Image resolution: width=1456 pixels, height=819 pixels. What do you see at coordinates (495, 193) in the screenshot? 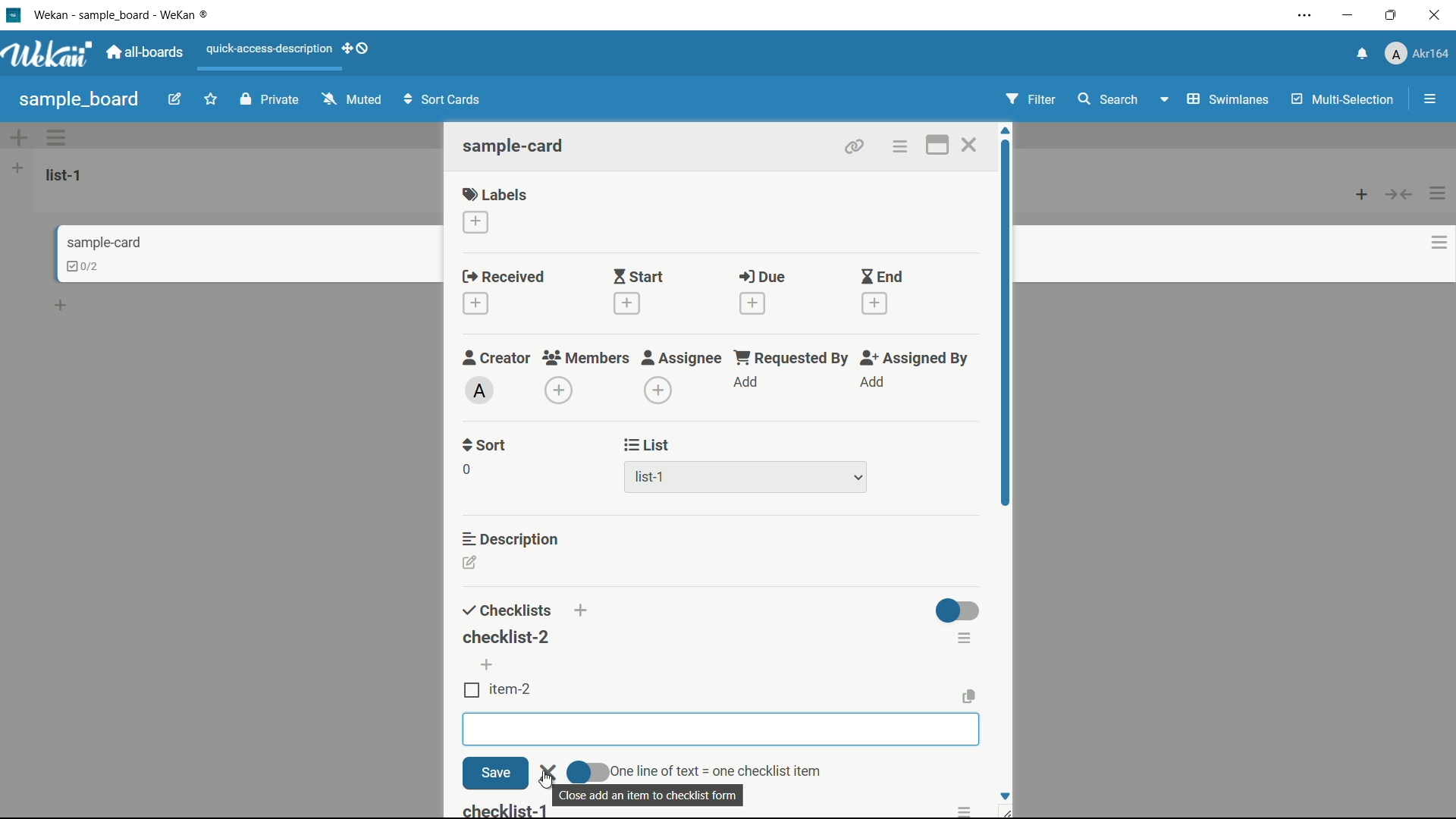
I see `labels` at bounding box center [495, 193].